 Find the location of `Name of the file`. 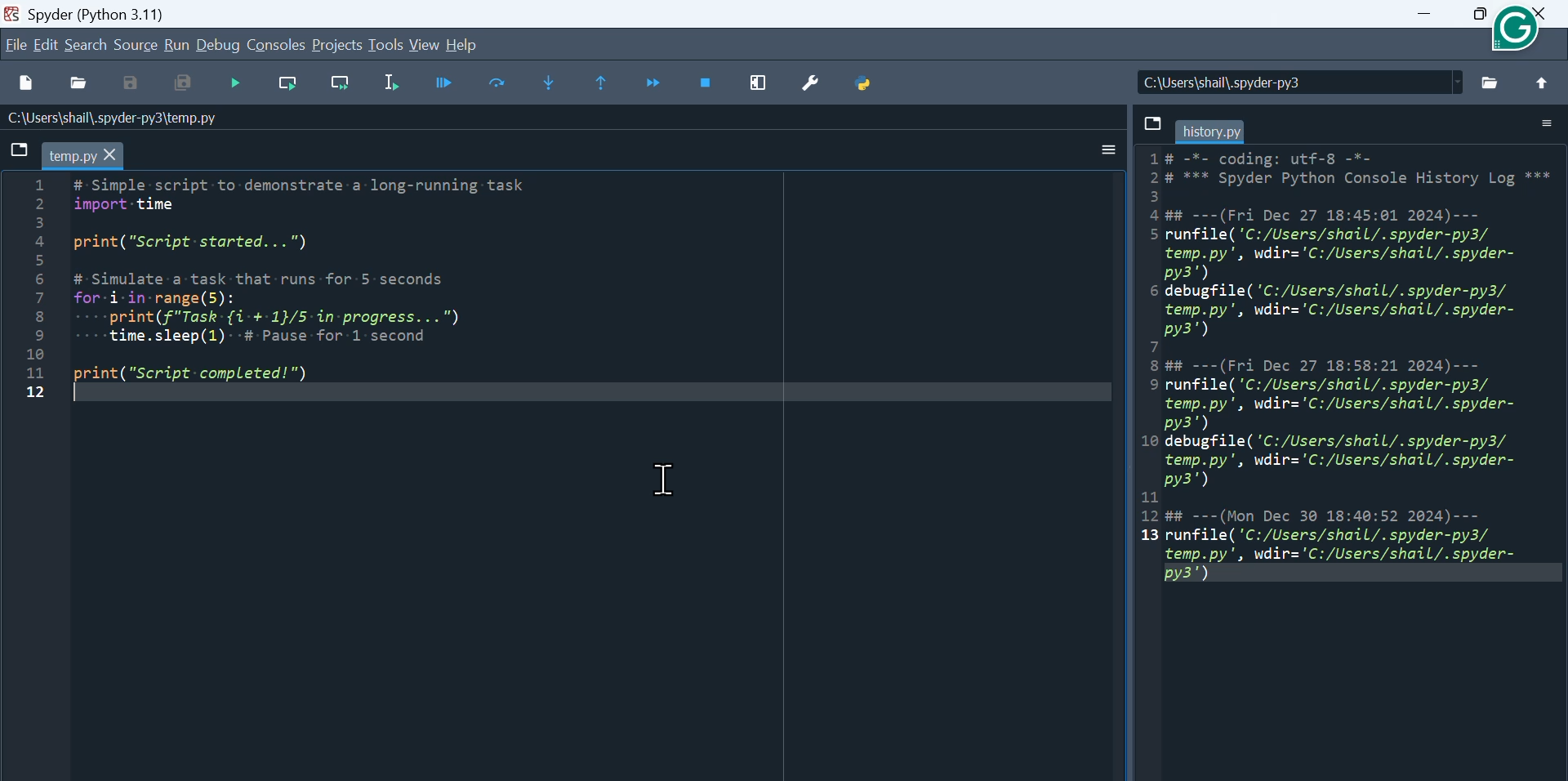

Name of the file is located at coordinates (136, 118).